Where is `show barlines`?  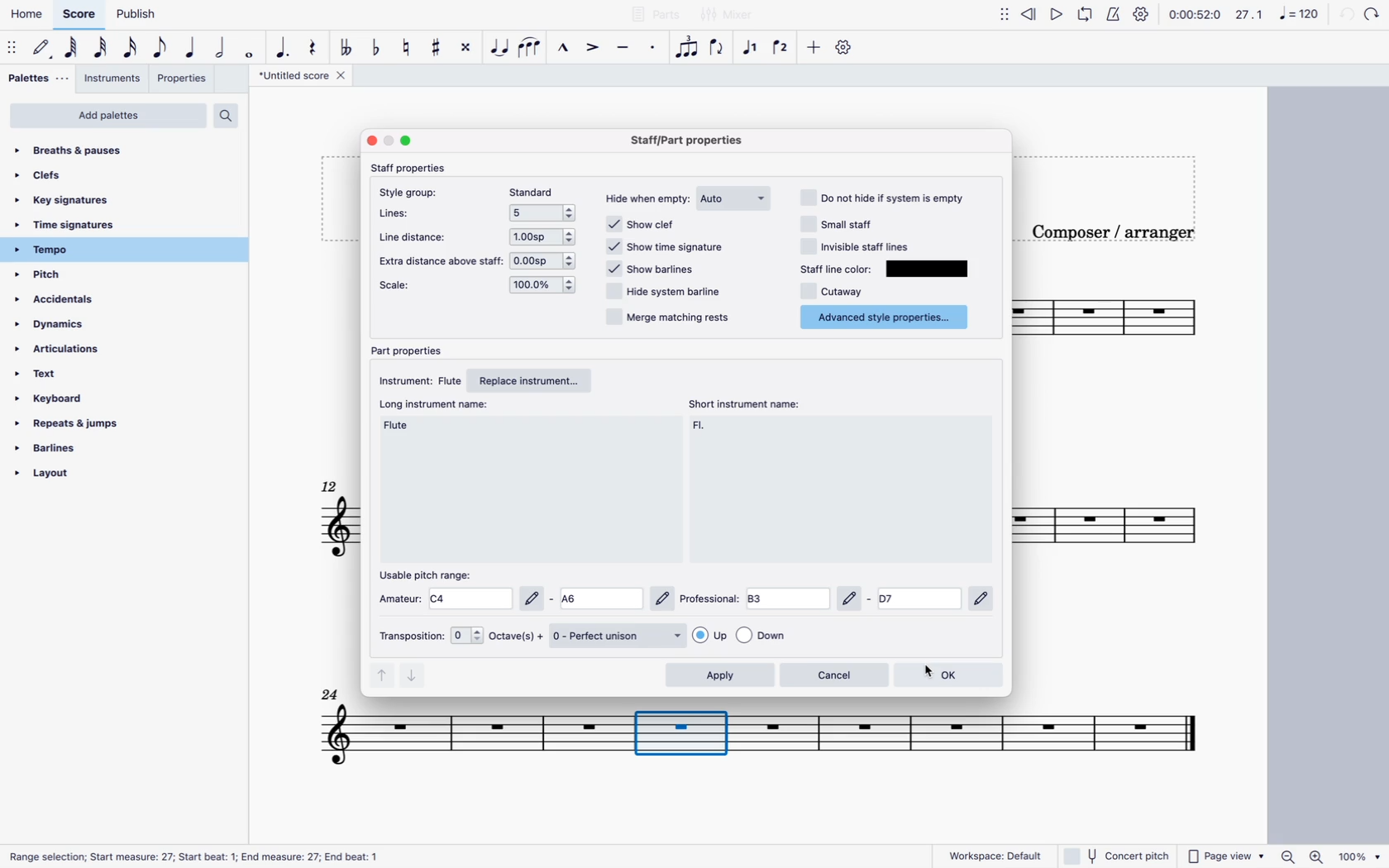
show barlines is located at coordinates (654, 269).